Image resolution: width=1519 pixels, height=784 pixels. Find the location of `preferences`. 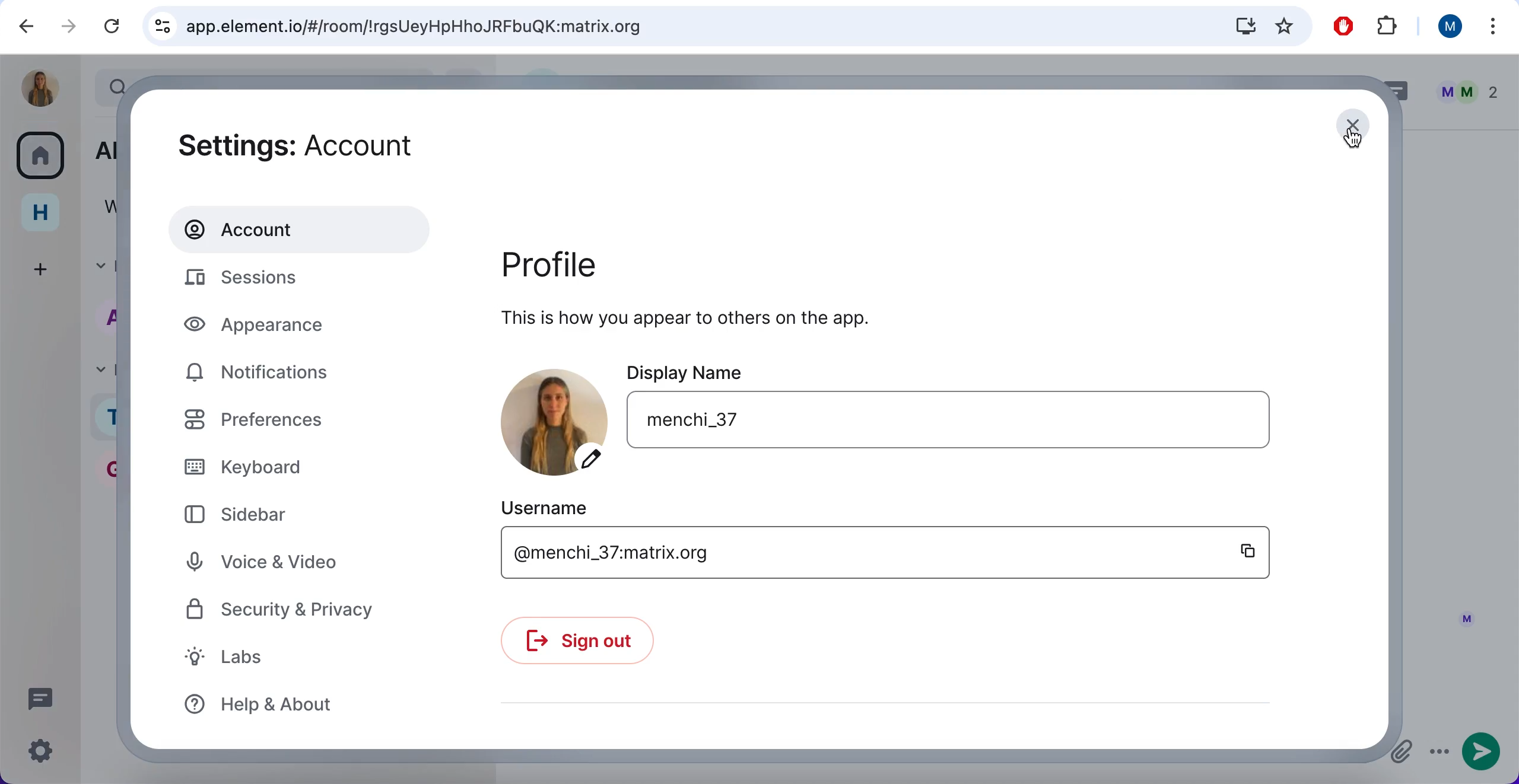

preferences is located at coordinates (280, 420).